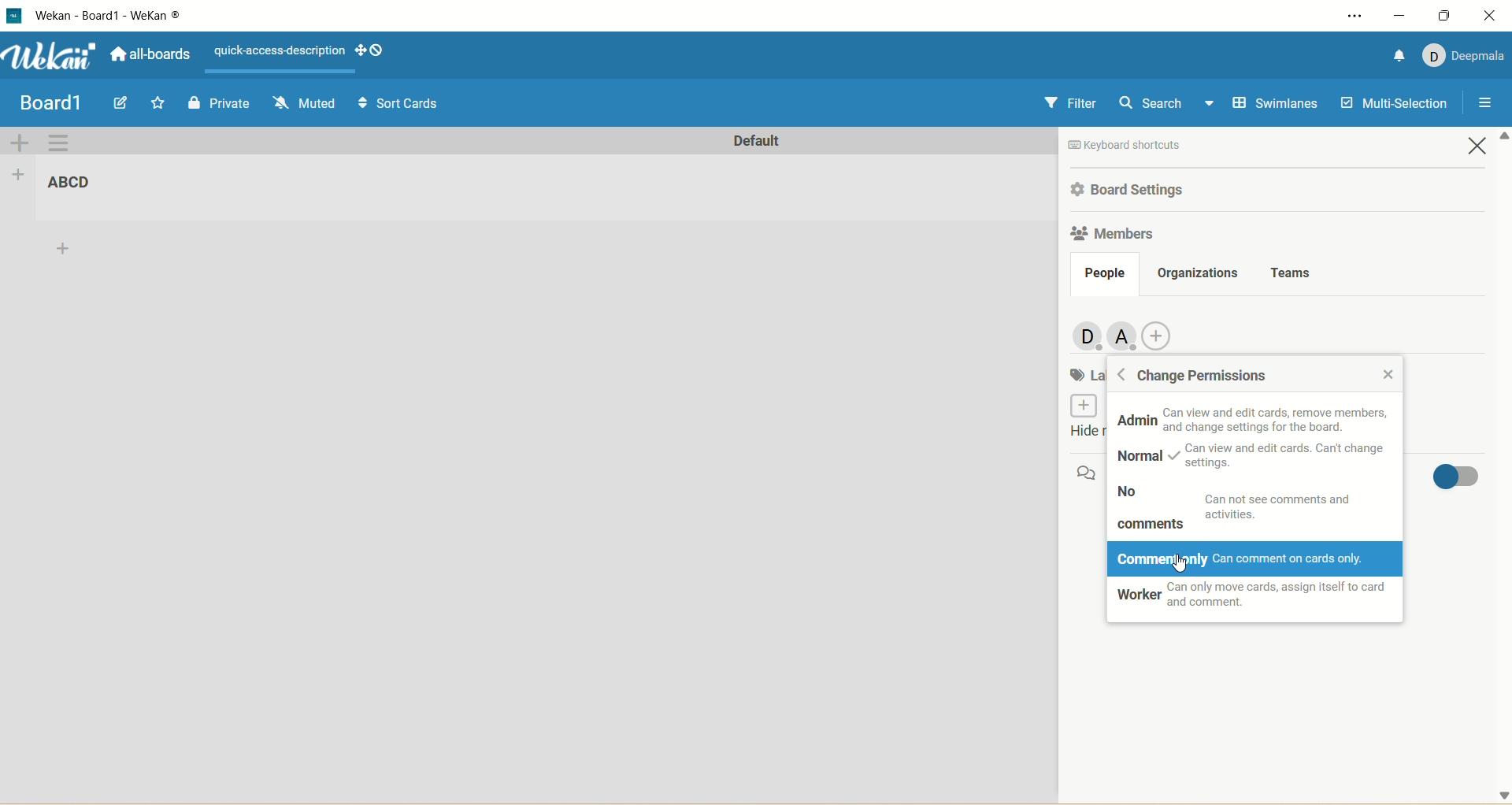 Image resolution: width=1512 pixels, height=805 pixels. What do you see at coordinates (1385, 372) in the screenshot?
I see `close` at bounding box center [1385, 372].